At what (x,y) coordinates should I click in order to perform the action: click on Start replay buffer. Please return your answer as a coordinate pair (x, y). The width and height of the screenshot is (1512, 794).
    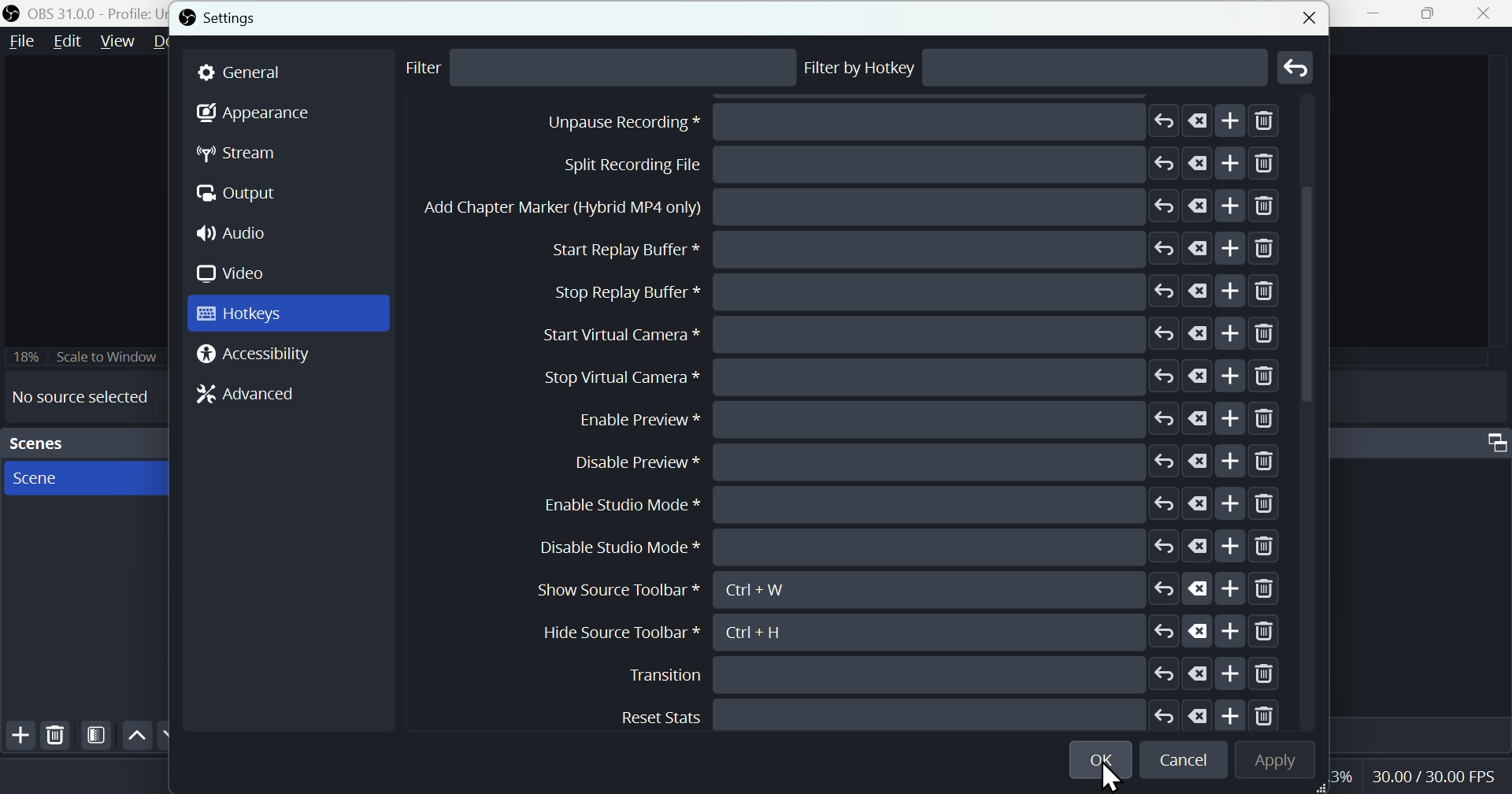
    Looking at the image, I should click on (915, 417).